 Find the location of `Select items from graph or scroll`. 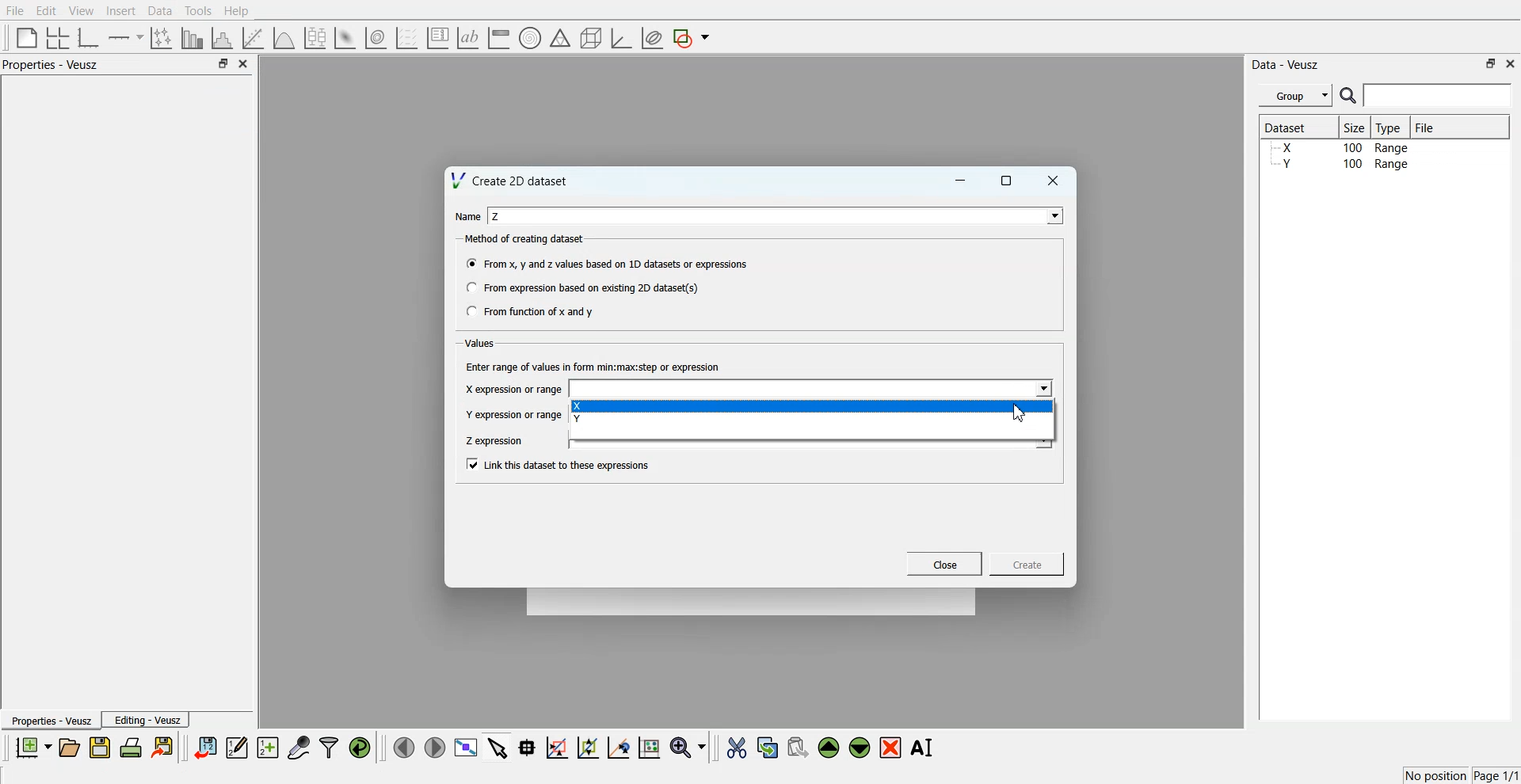

Select items from graph or scroll is located at coordinates (498, 746).